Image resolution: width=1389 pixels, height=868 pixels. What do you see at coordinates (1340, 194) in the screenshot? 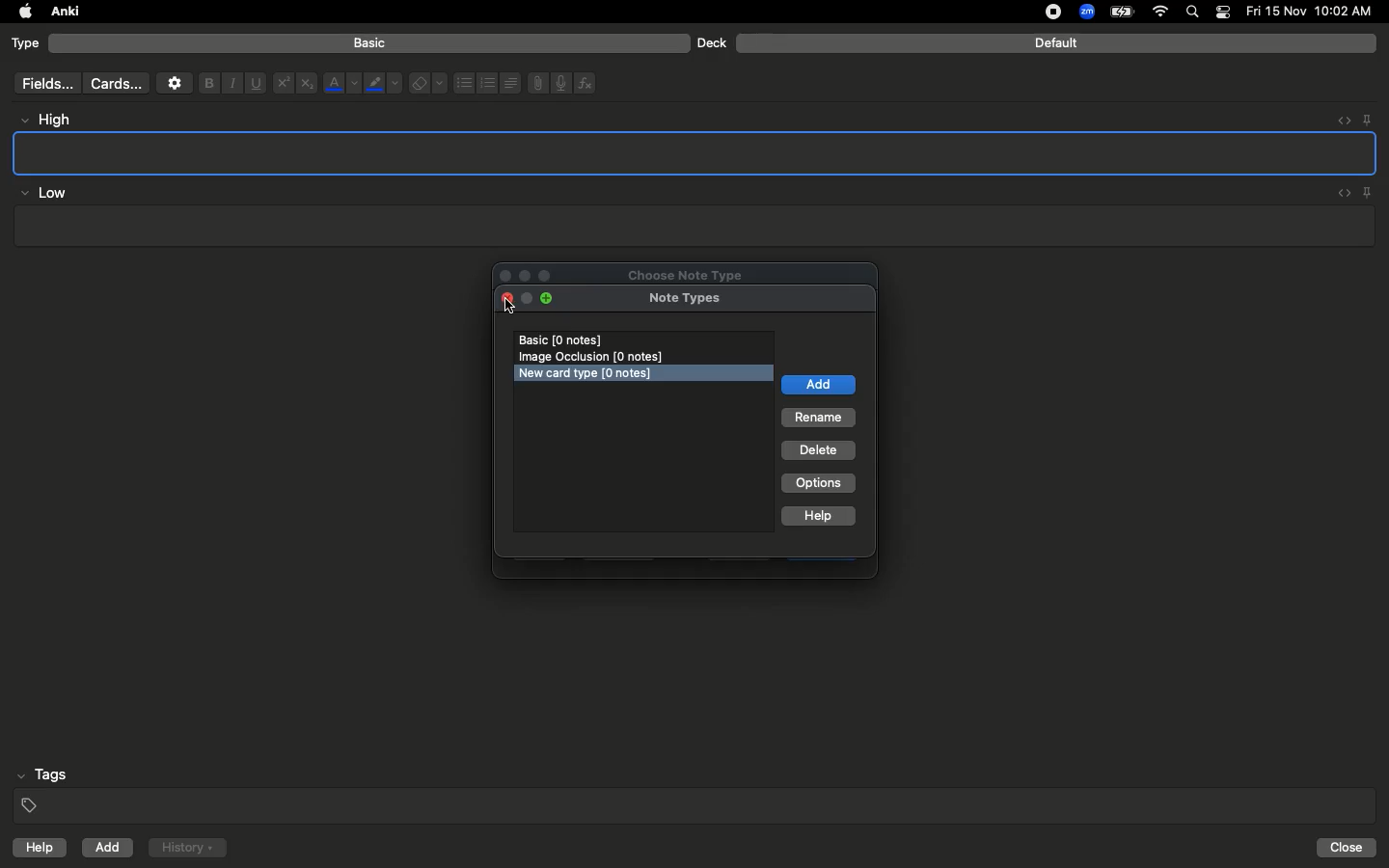
I see `Embed` at bounding box center [1340, 194].